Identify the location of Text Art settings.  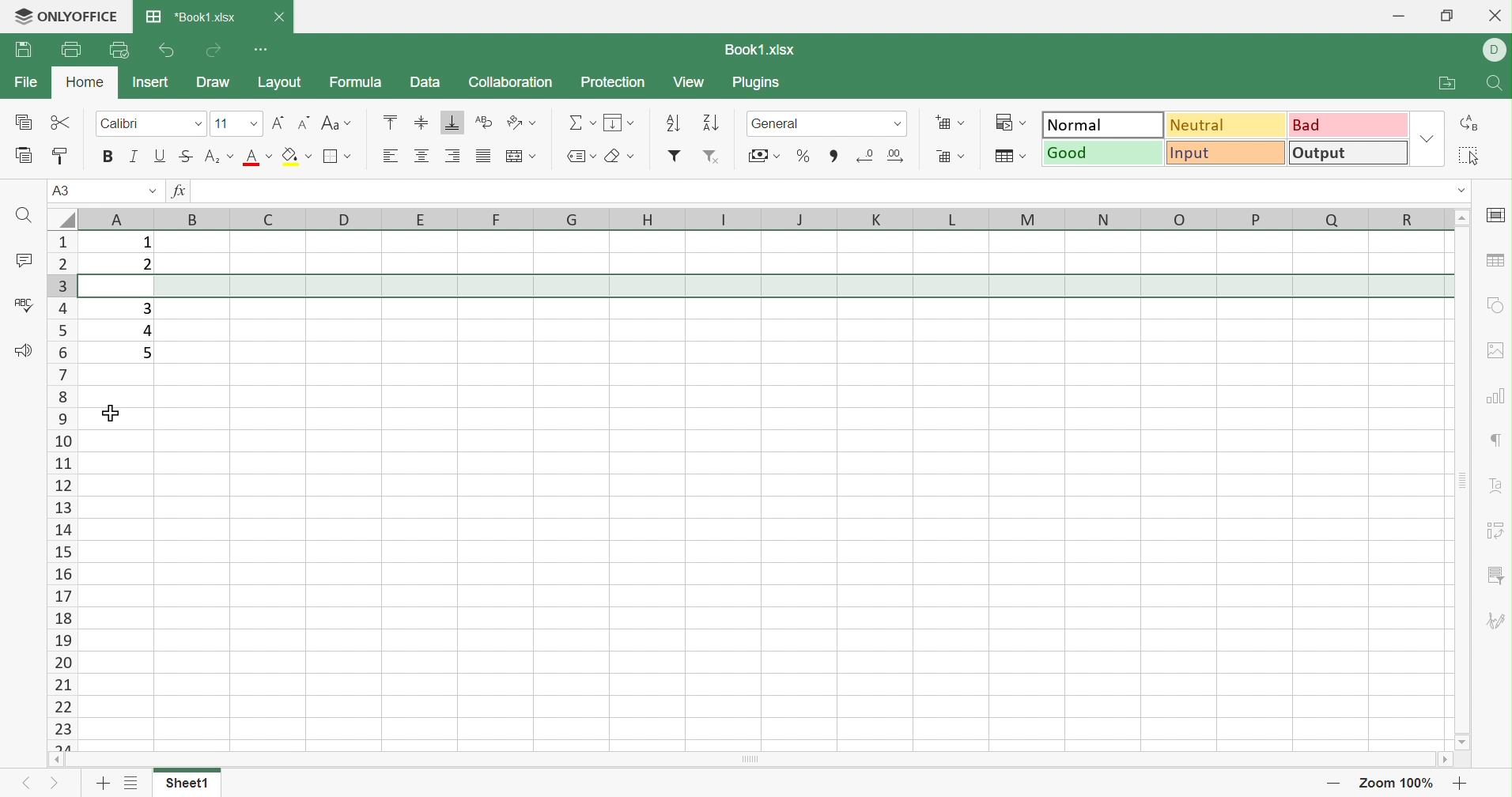
(1495, 487).